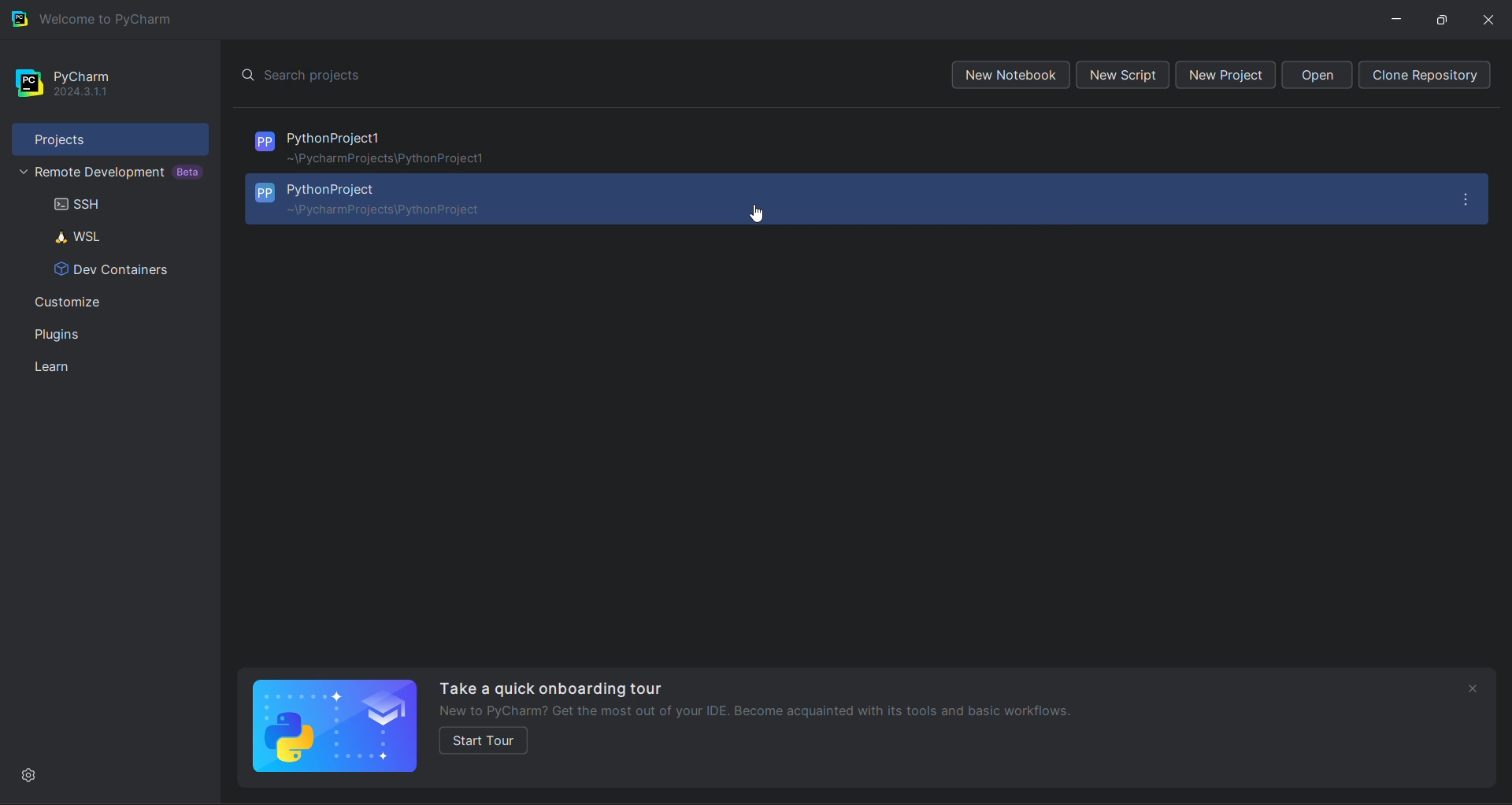 This screenshot has height=805, width=1512. I want to click on project1, so click(863, 144).